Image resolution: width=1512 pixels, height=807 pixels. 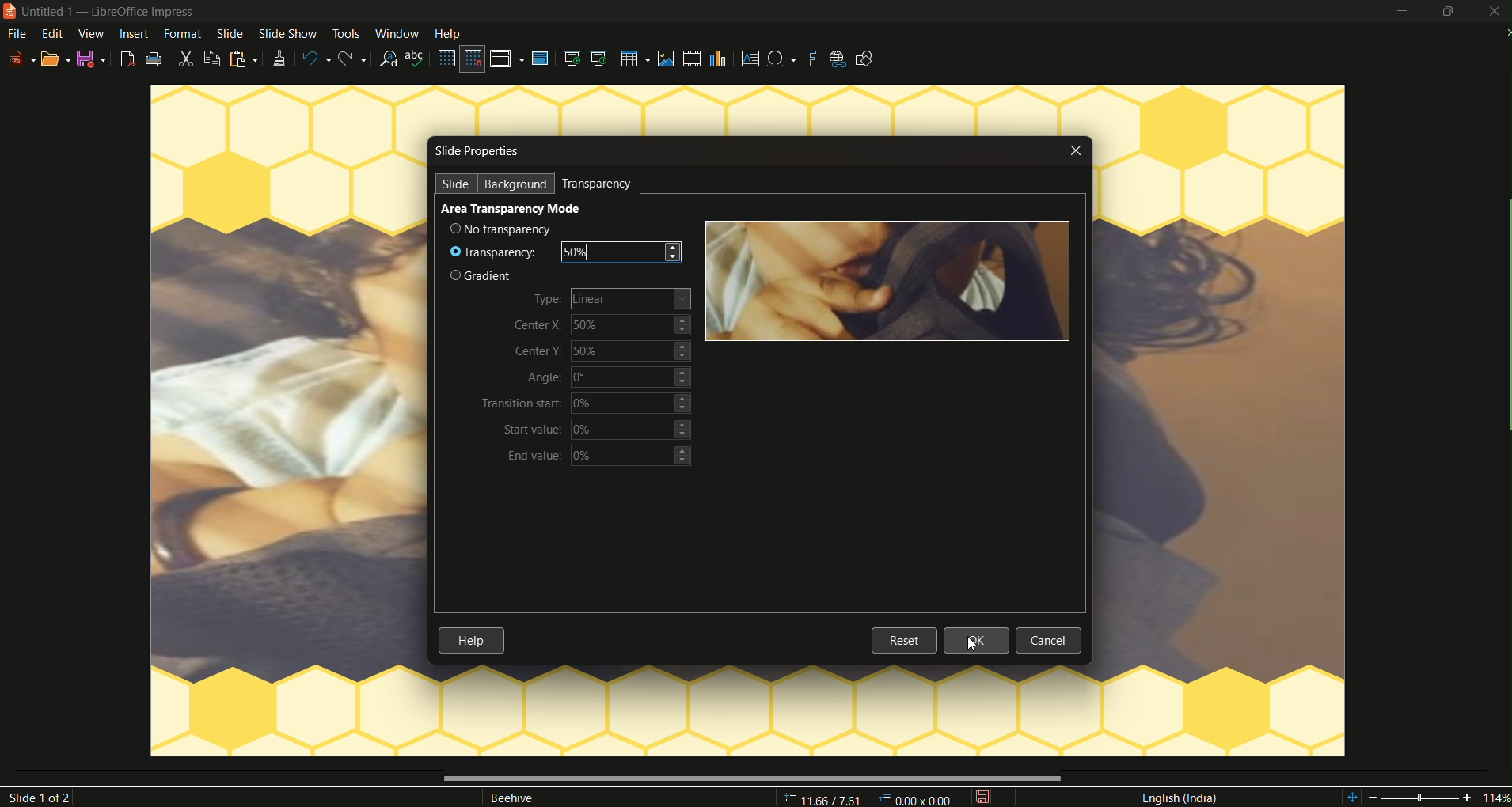 I want to click on show draw functions, so click(x=866, y=59).